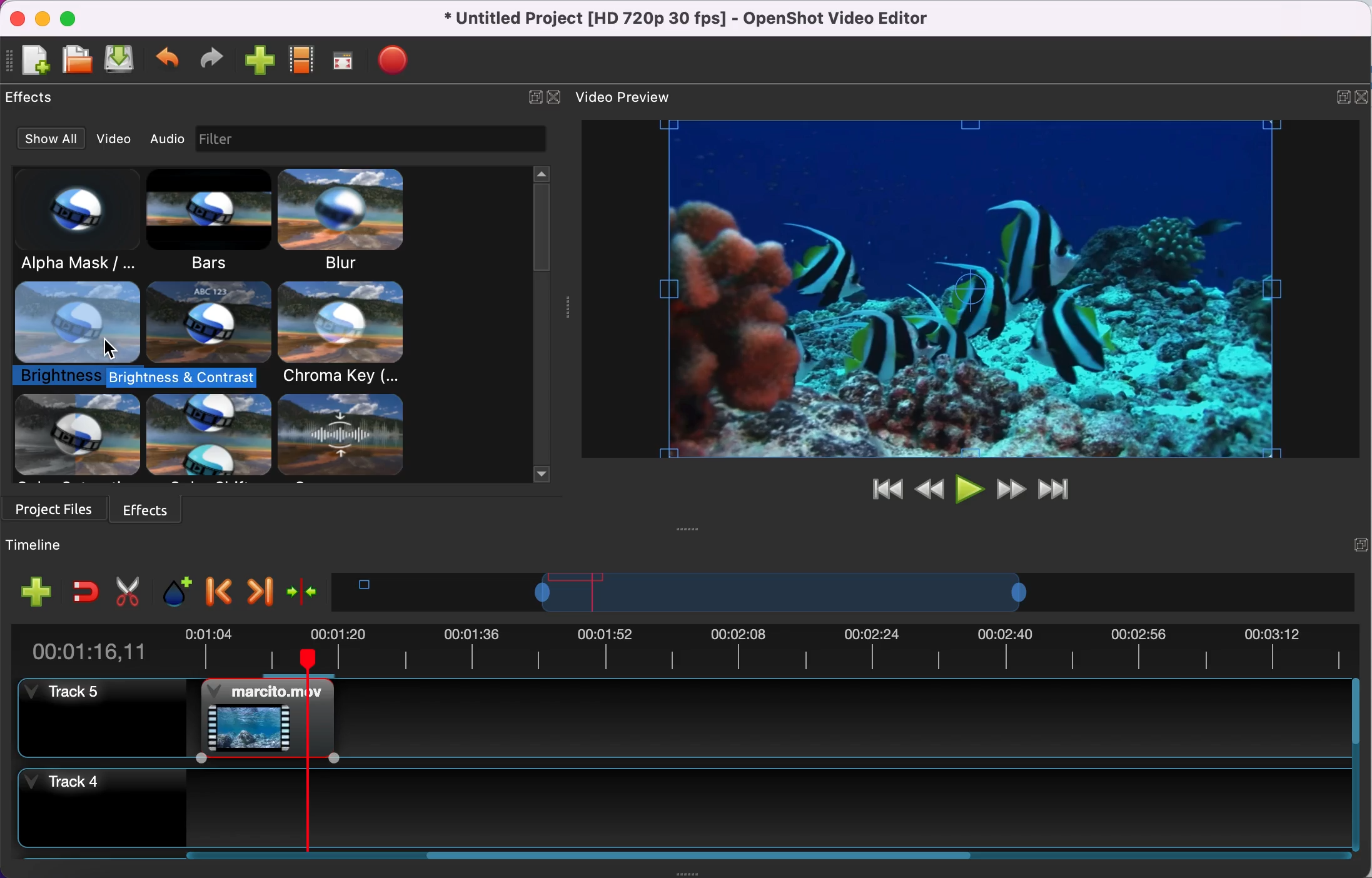 The width and height of the screenshot is (1372, 878). What do you see at coordinates (358, 221) in the screenshot?
I see `blur` at bounding box center [358, 221].